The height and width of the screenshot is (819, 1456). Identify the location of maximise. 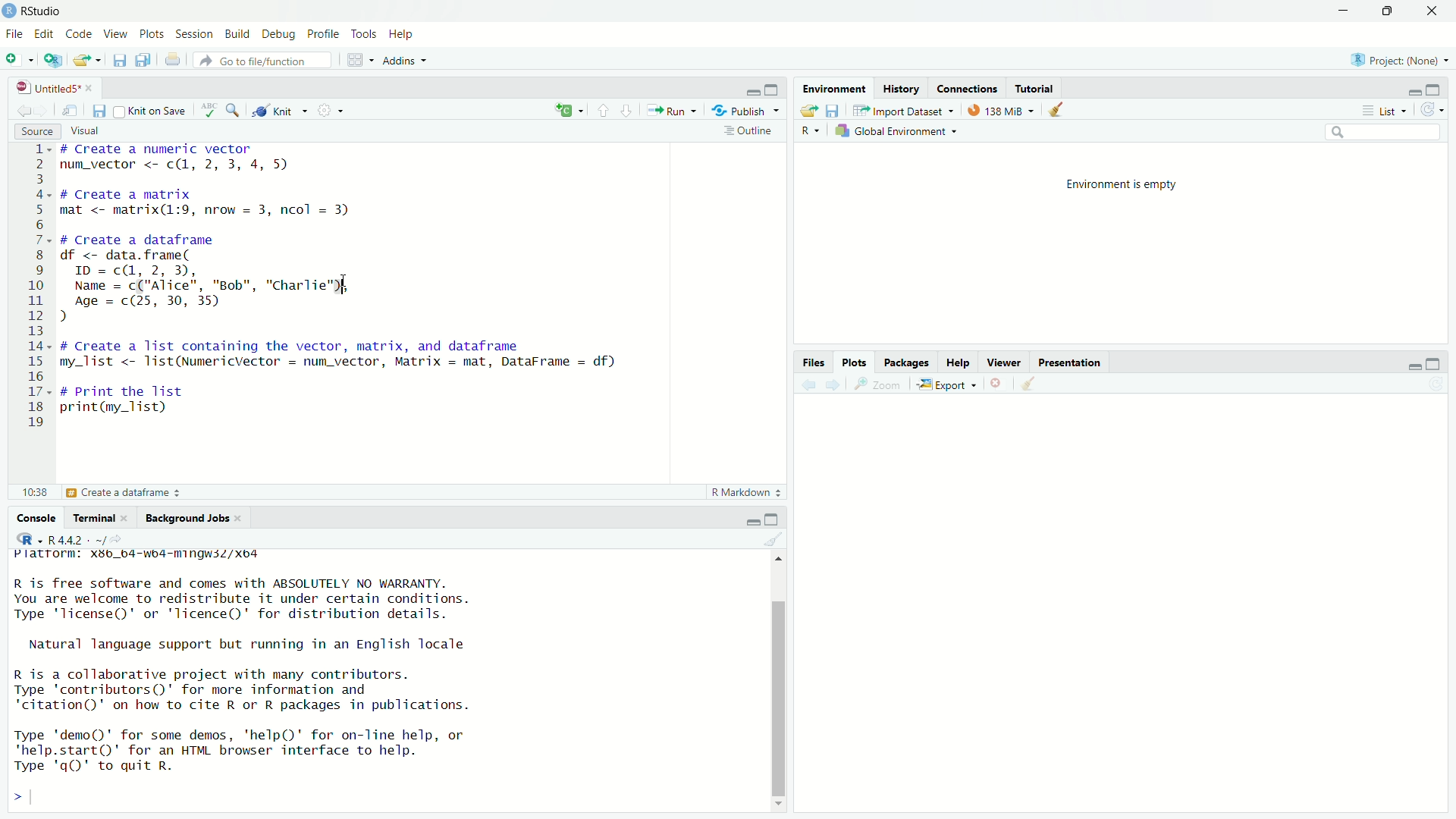
(1440, 89).